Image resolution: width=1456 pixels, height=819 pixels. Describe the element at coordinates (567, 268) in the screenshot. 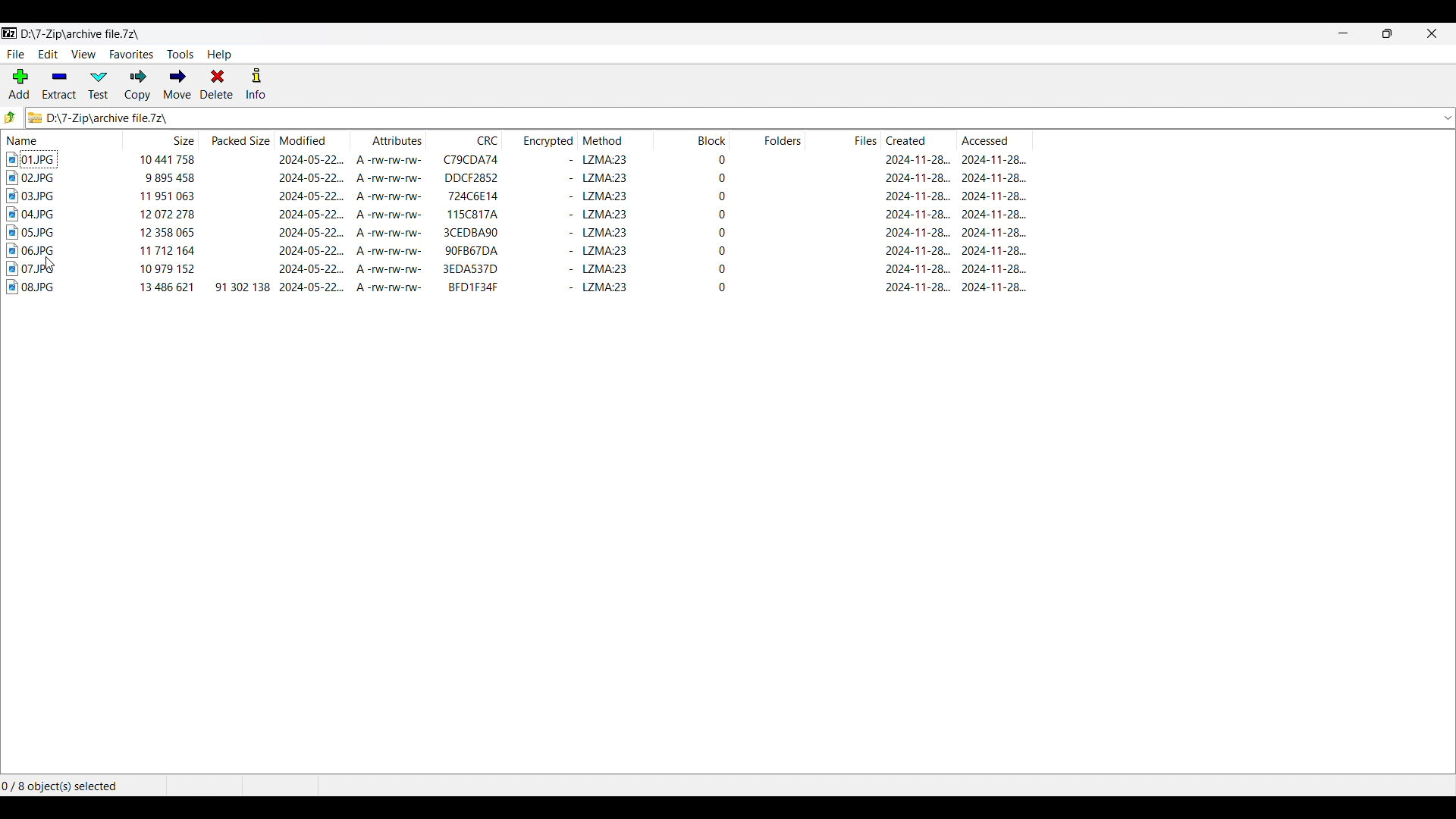

I see `encrypted status` at that location.